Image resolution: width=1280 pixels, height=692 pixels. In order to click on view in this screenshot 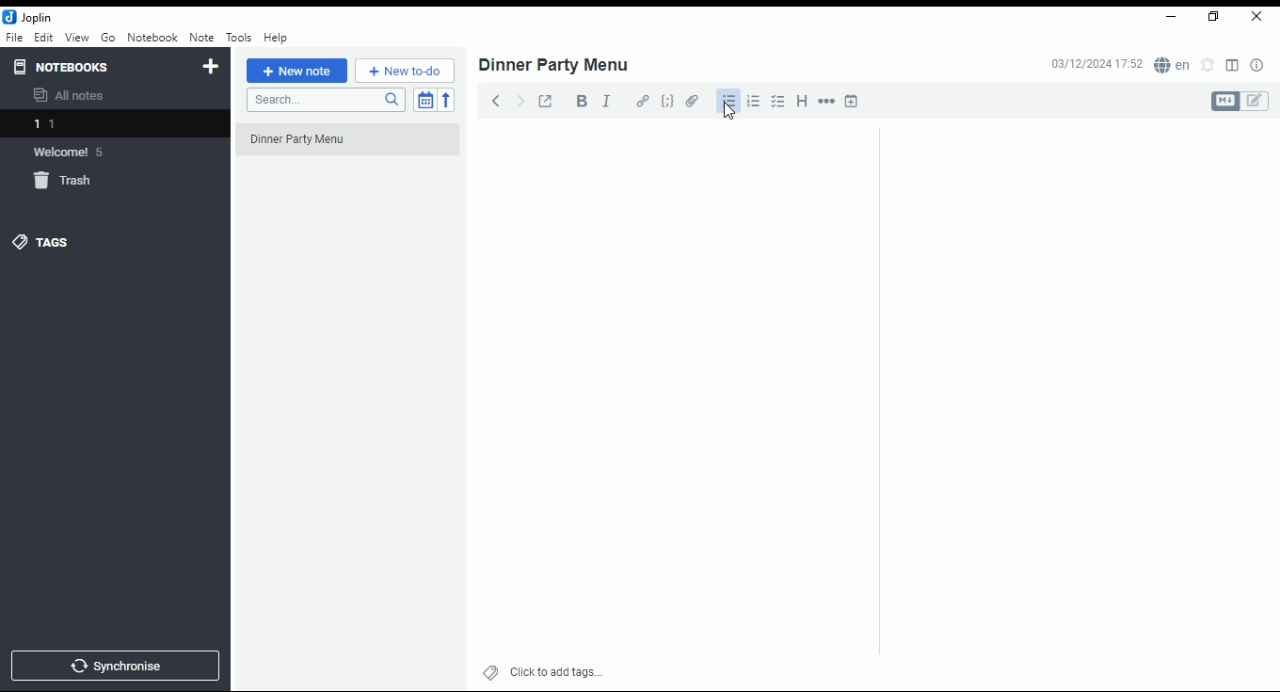, I will do `click(76, 38)`.